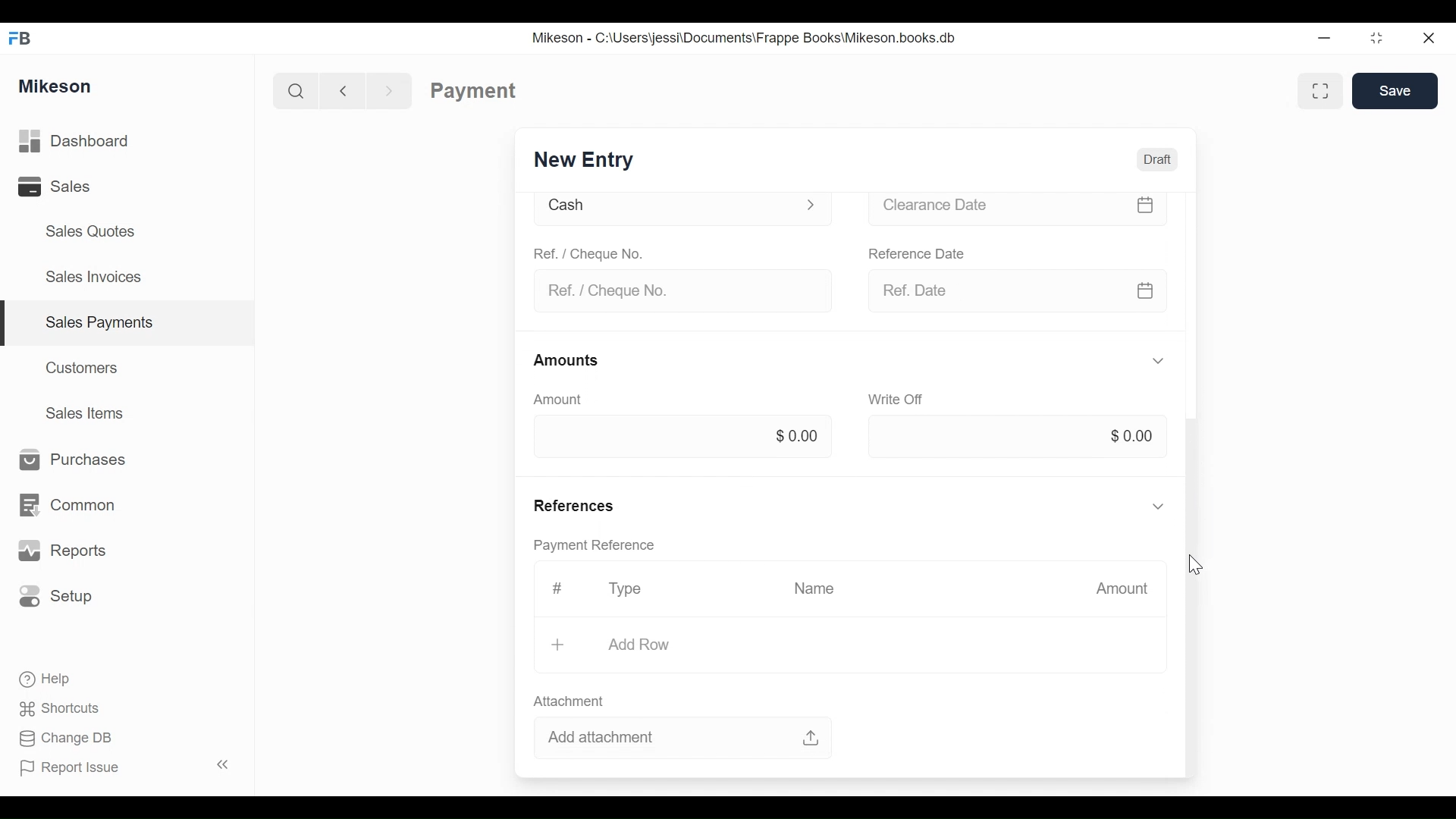 This screenshot has height=819, width=1456. I want to click on Payment reference, so click(598, 547).